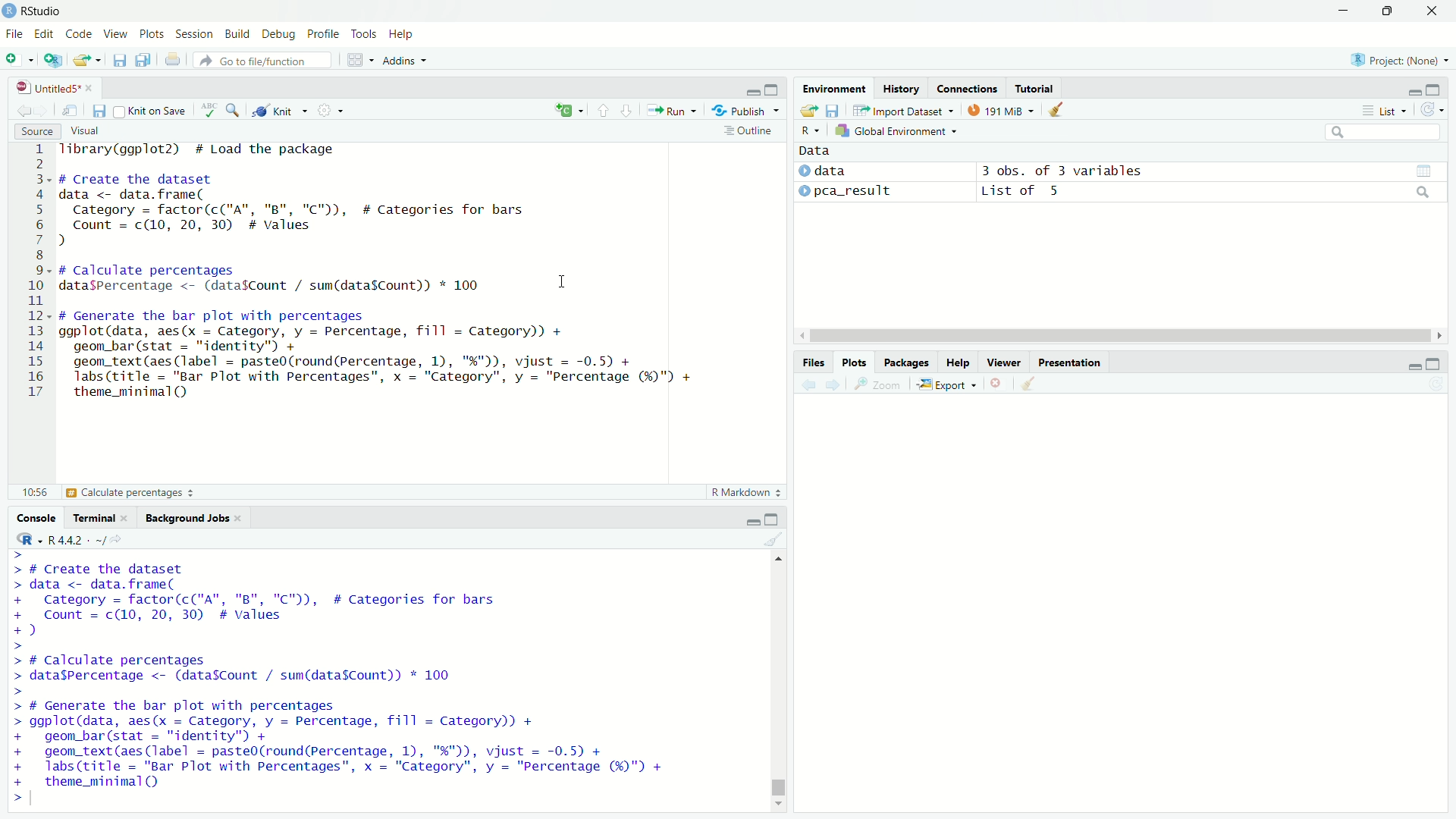 The image size is (1456, 819). What do you see at coordinates (858, 192) in the screenshot?
I see `data2: pca_result` at bounding box center [858, 192].